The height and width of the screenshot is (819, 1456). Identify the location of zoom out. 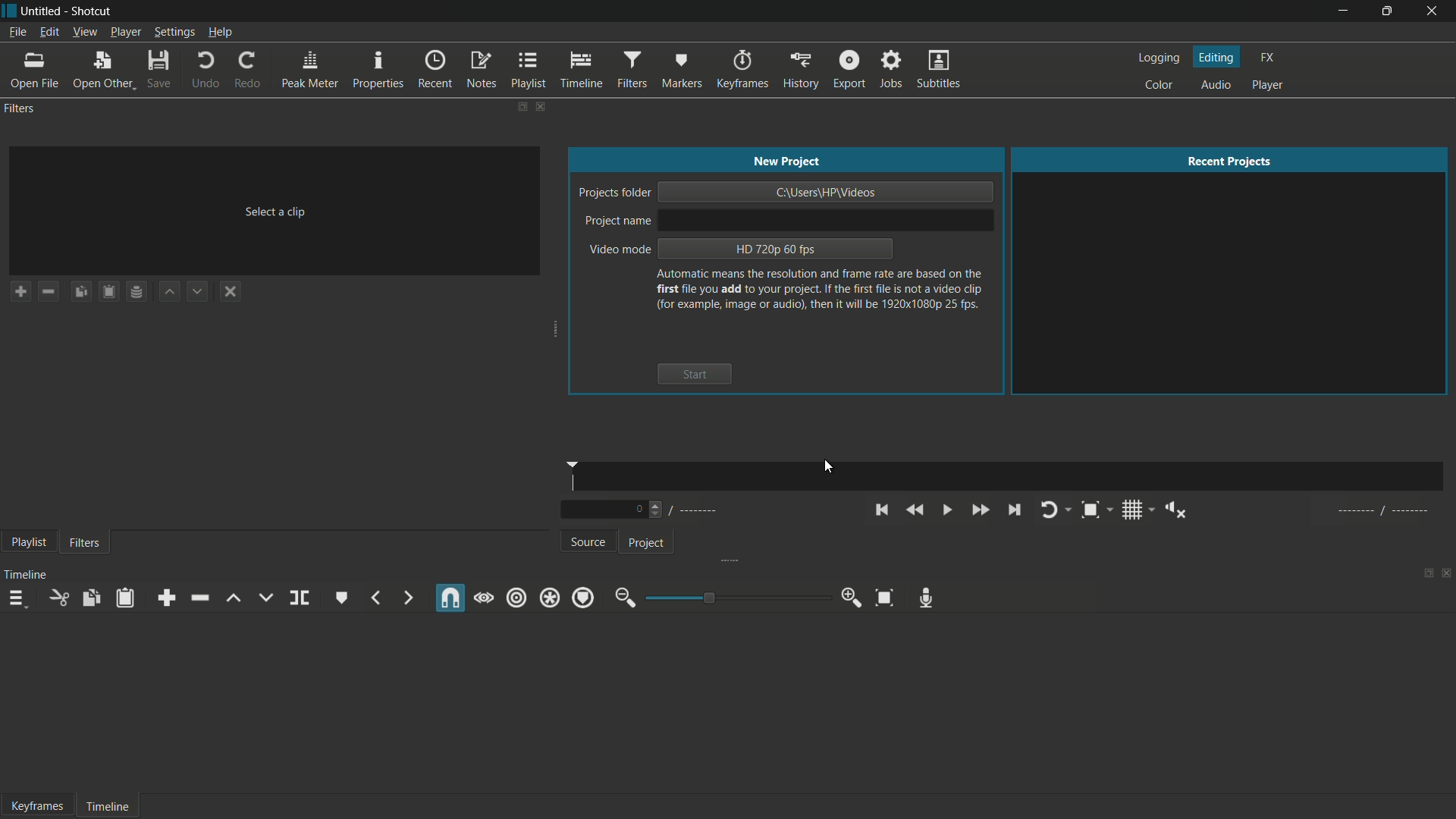
(623, 598).